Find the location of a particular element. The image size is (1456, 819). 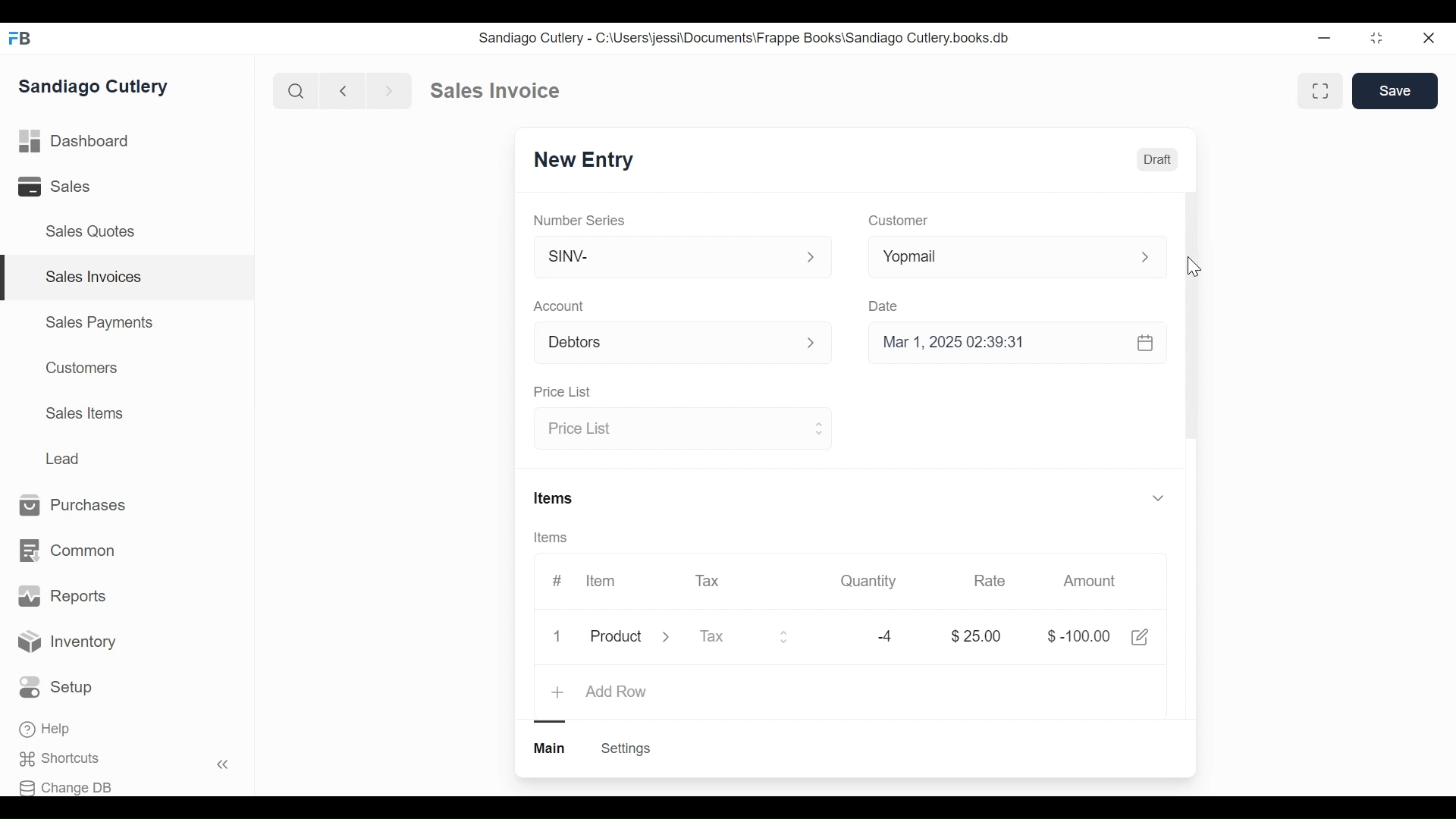

SINV-1007 is located at coordinates (585, 158).